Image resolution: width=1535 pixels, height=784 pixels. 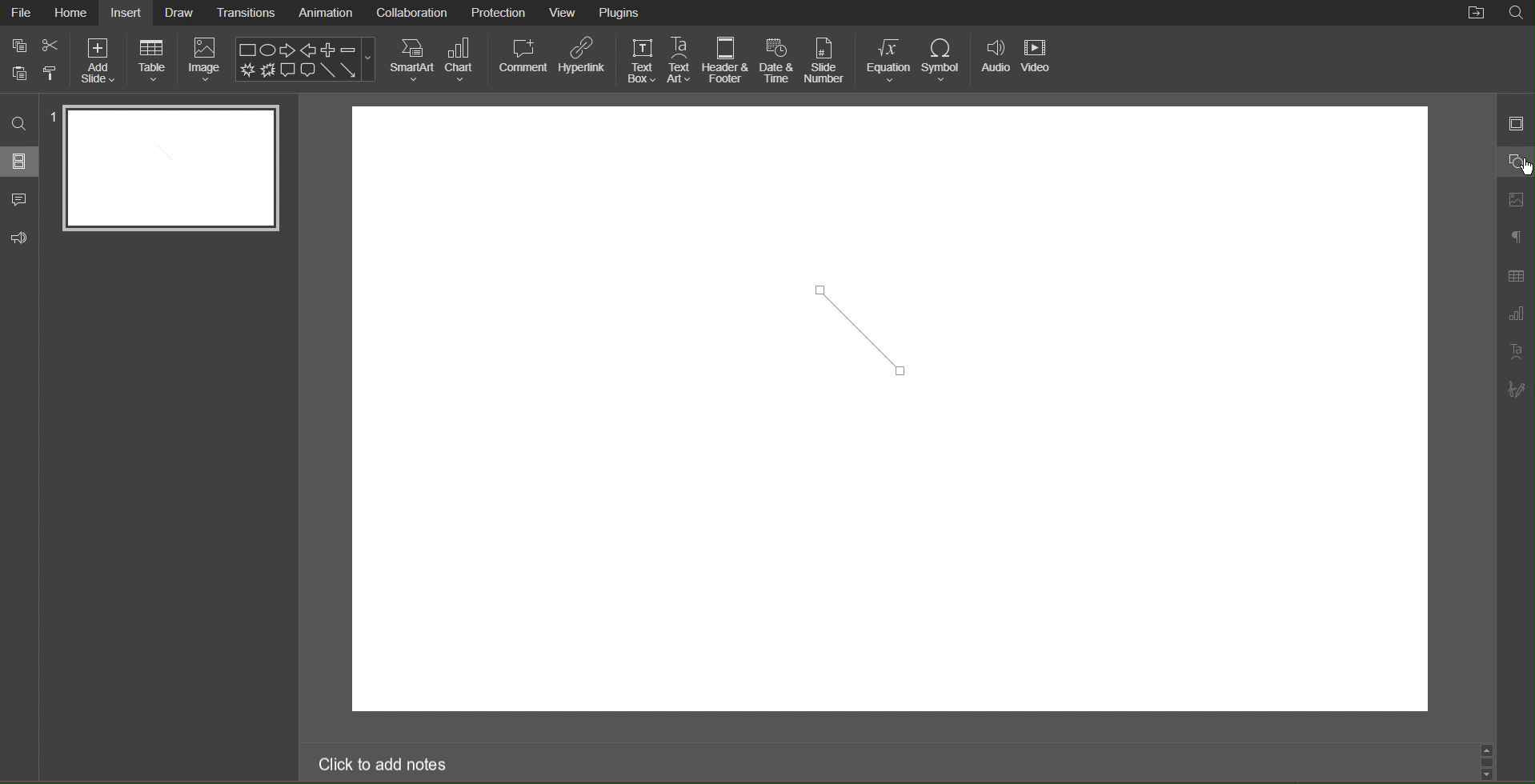 What do you see at coordinates (1515, 122) in the screenshot?
I see `Slide Settings` at bounding box center [1515, 122].